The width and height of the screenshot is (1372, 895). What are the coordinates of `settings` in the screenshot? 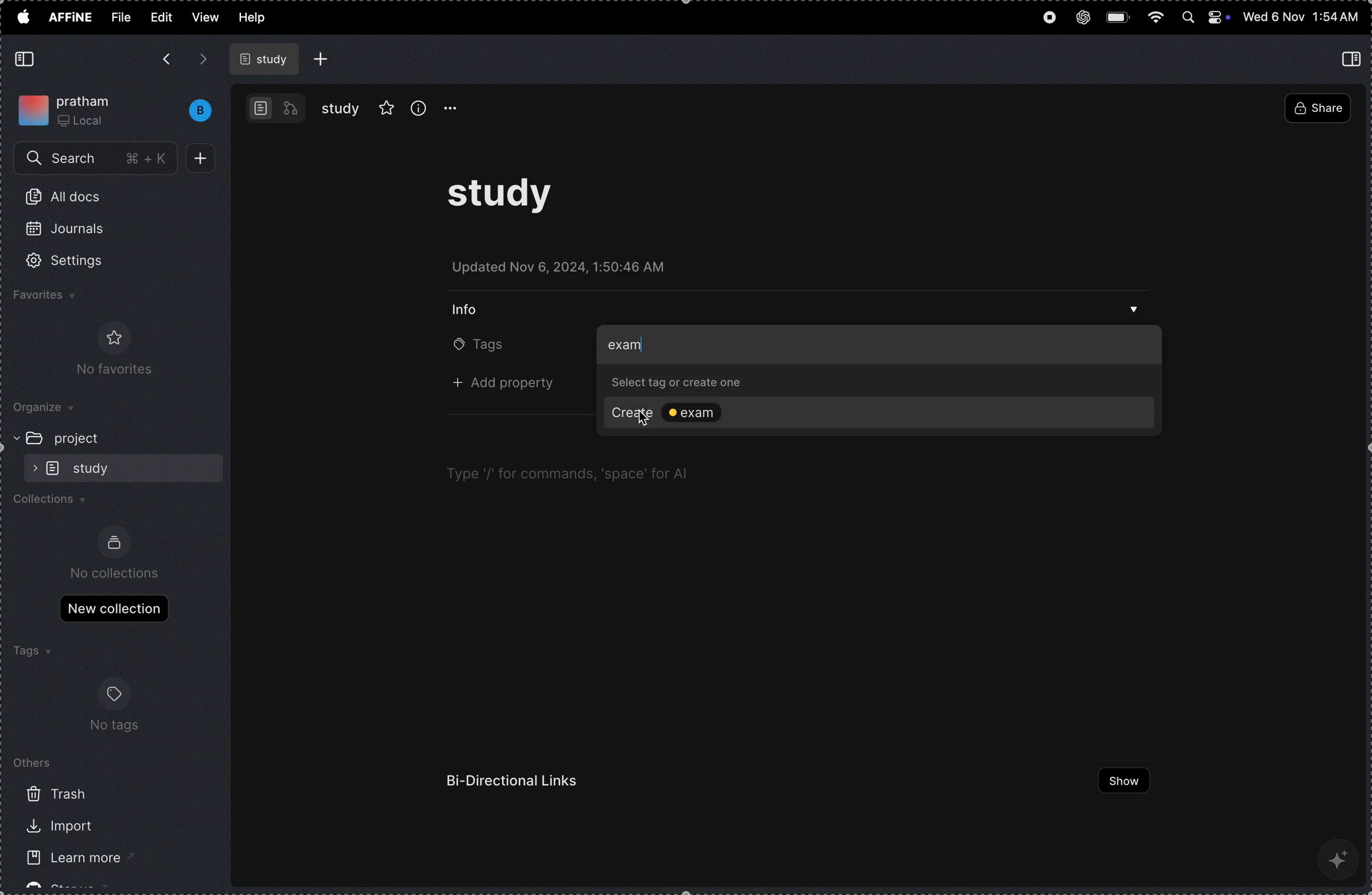 It's located at (80, 261).